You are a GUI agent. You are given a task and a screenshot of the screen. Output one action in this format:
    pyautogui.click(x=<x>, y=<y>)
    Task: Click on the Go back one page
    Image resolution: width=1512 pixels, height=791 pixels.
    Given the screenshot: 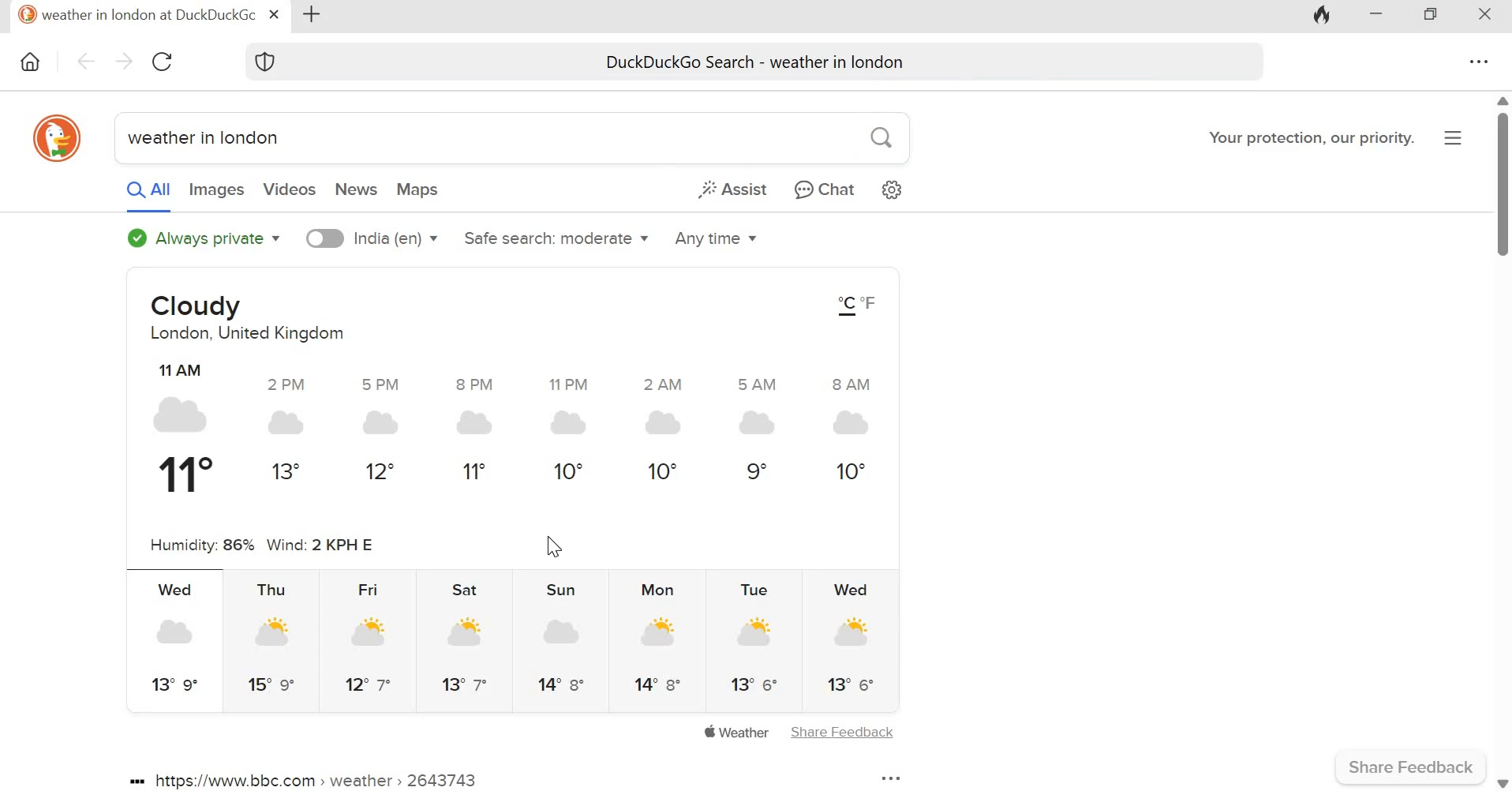 What is the action you would take?
    pyautogui.click(x=84, y=62)
    